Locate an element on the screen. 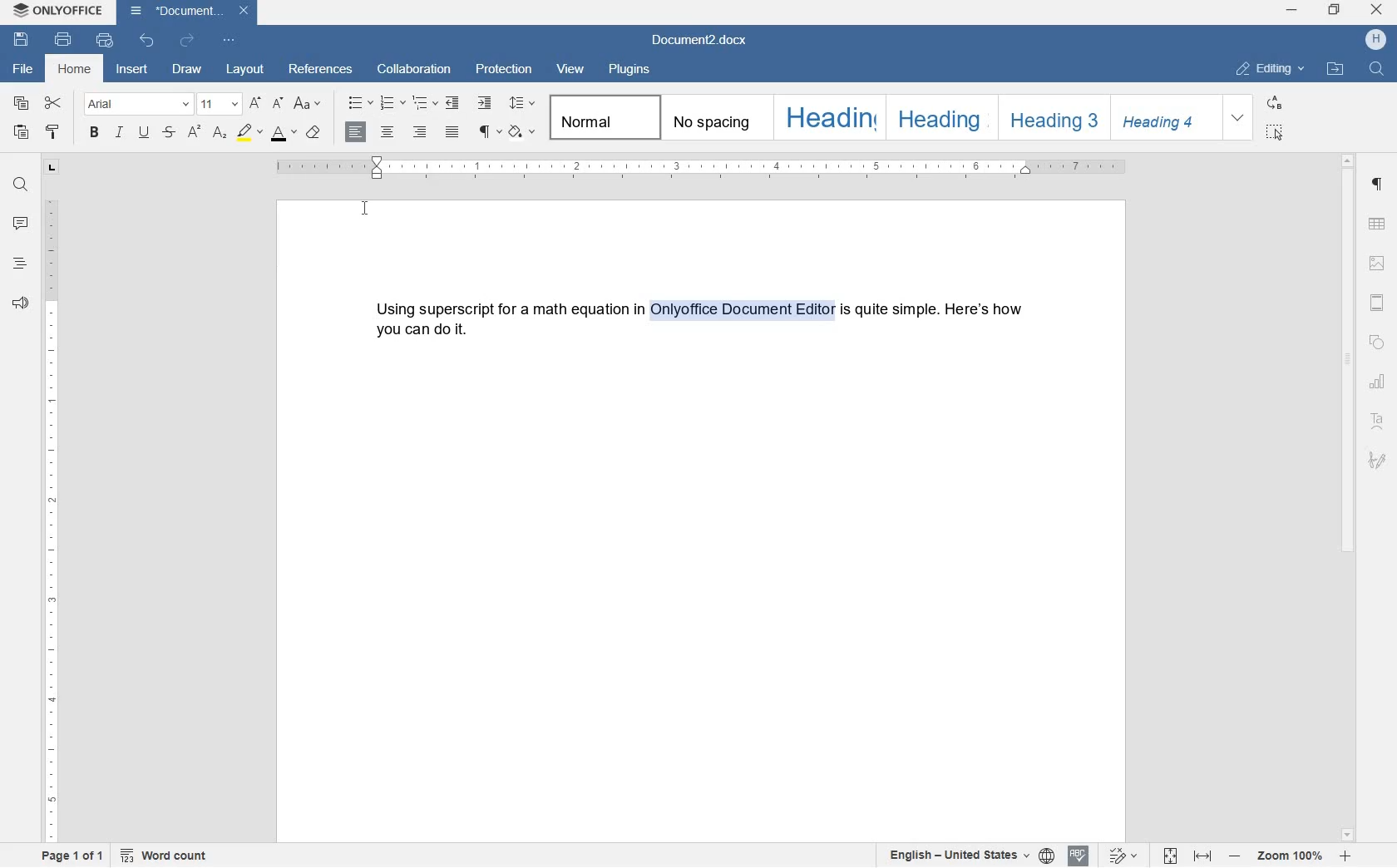  collaboration is located at coordinates (414, 71).